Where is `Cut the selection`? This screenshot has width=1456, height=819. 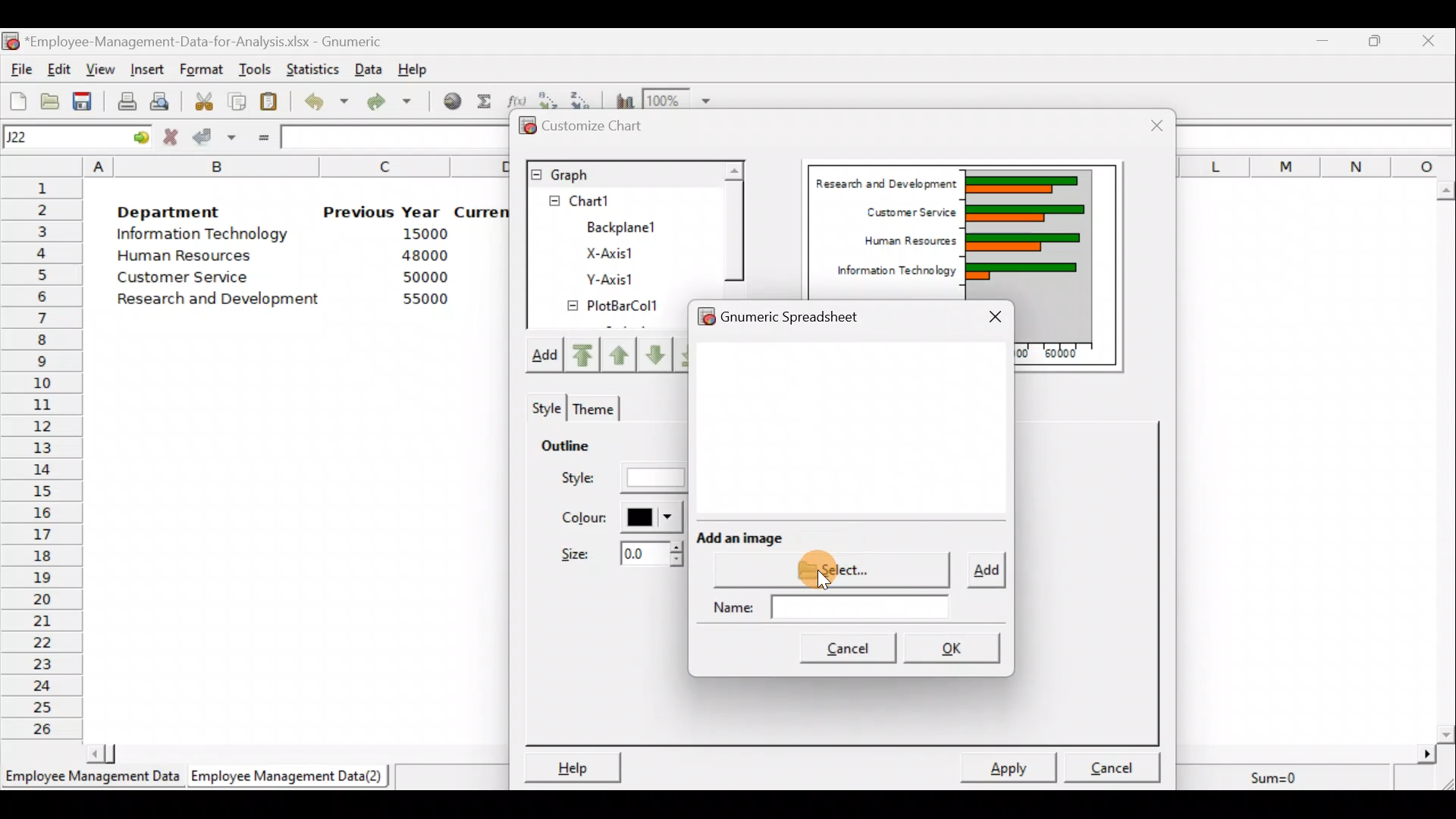 Cut the selection is located at coordinates (206, 104).